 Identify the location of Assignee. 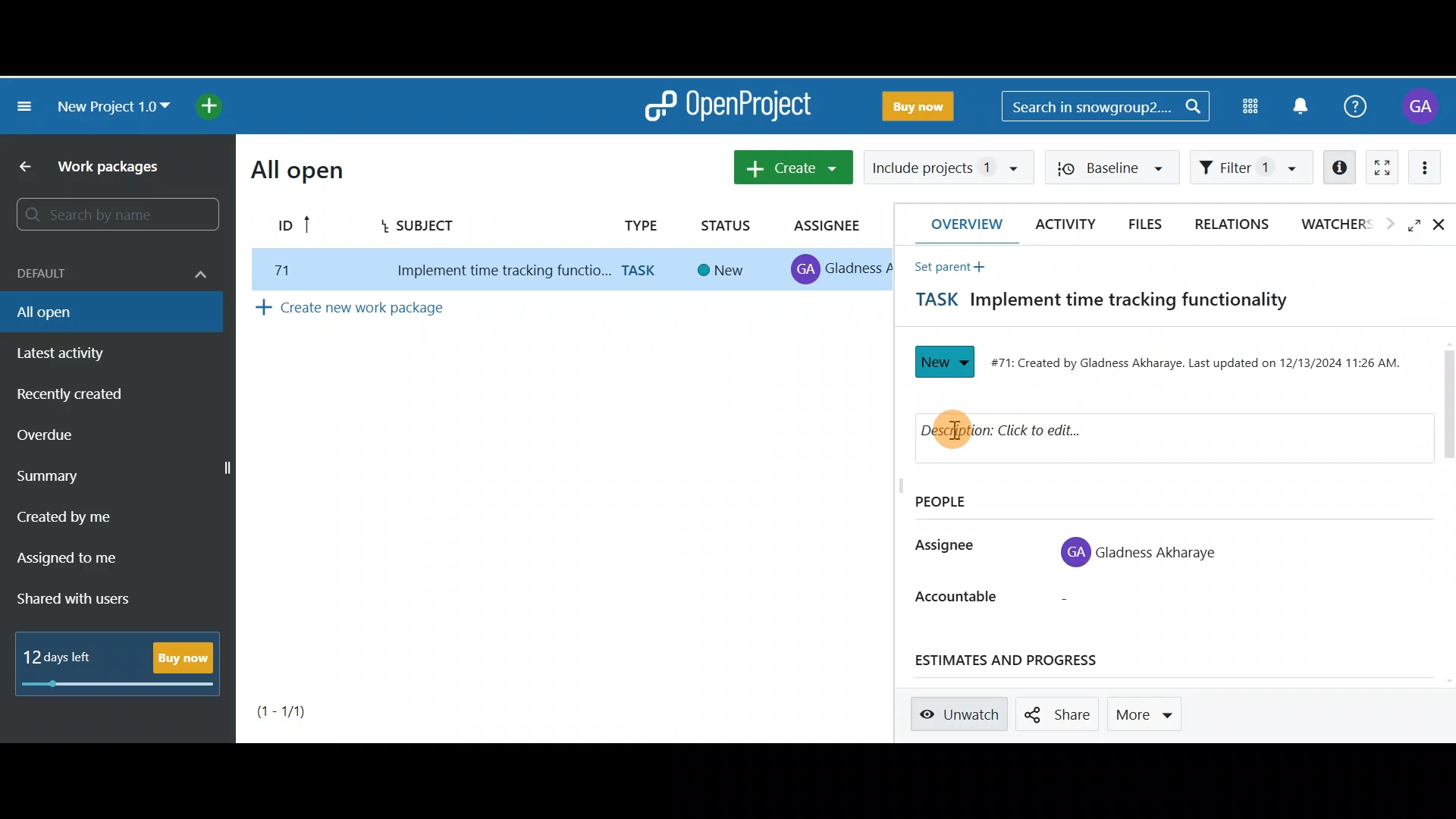
(831, 226).